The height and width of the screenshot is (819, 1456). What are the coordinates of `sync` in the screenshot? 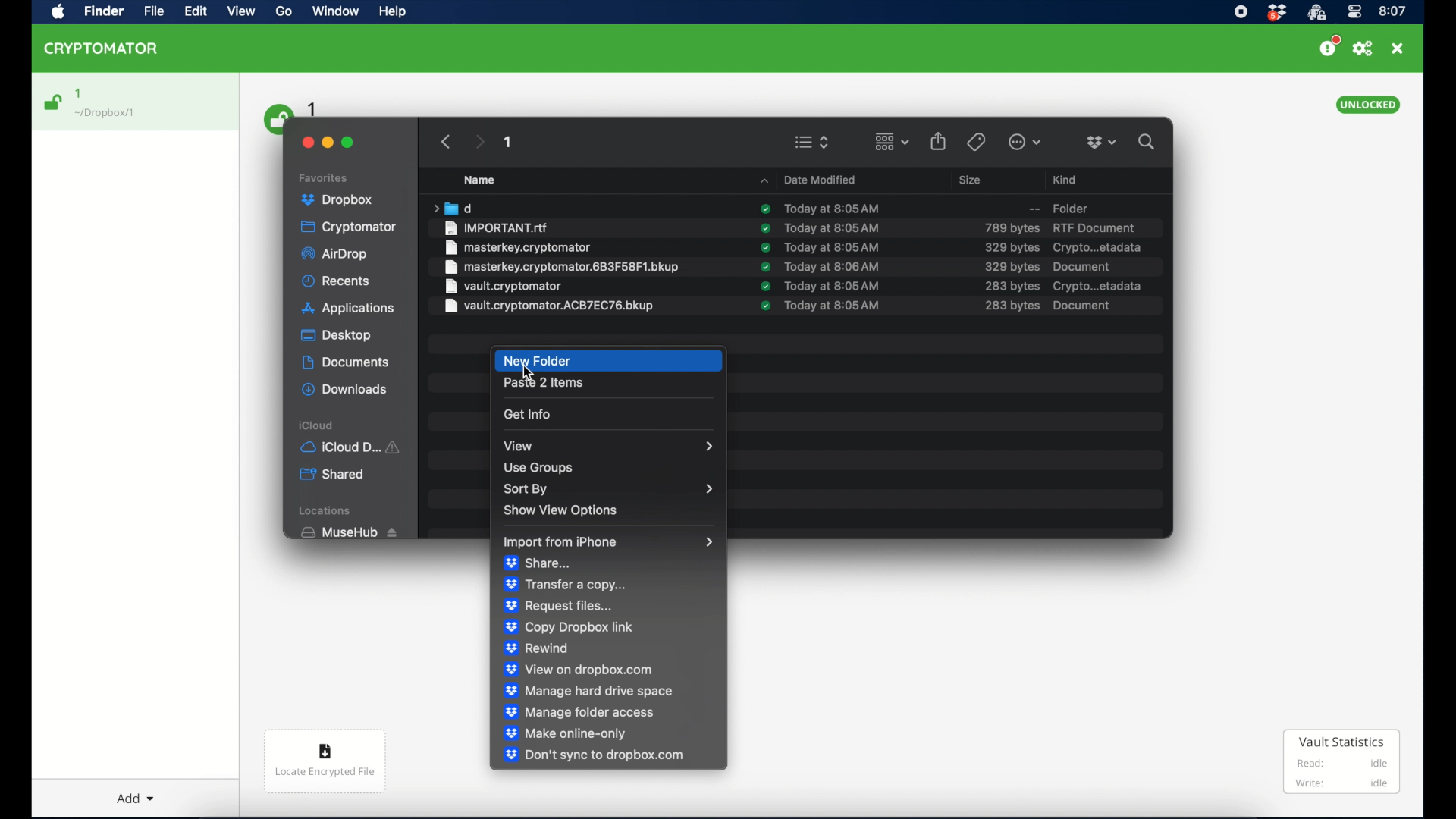 It's located at (764, 247).